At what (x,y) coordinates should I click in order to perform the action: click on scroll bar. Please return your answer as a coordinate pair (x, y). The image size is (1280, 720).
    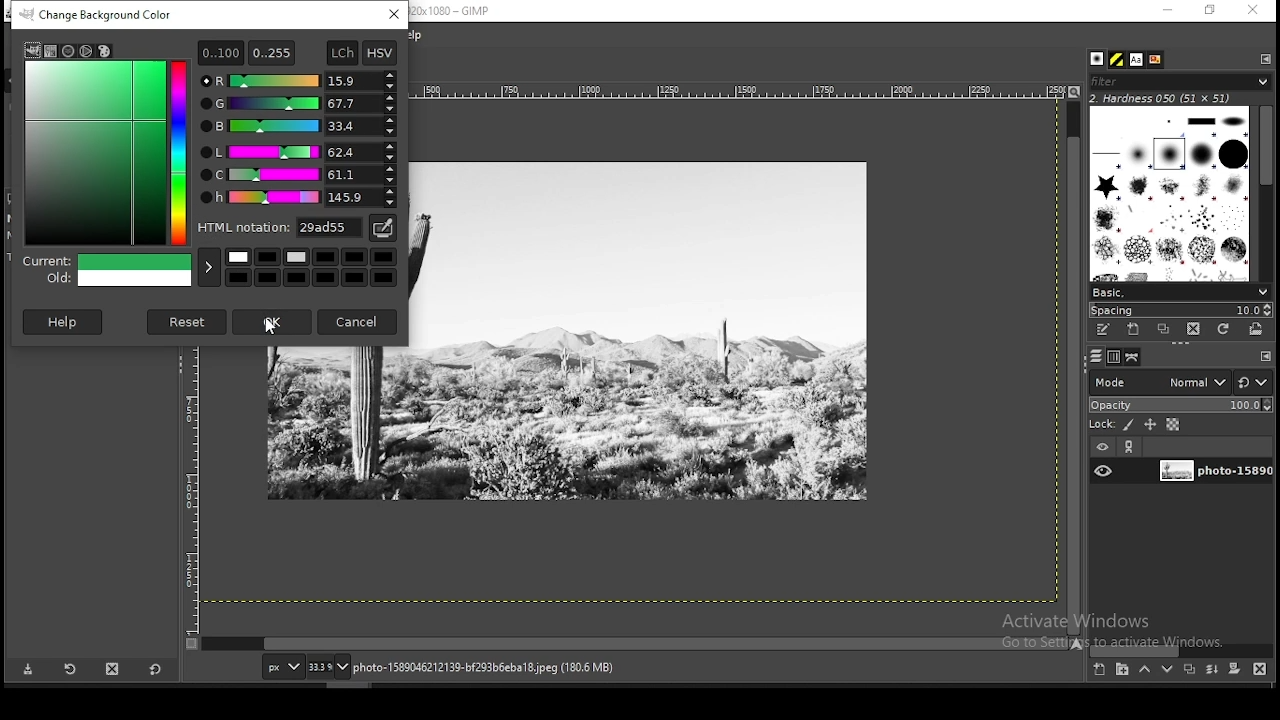
    Looking at the image, I should click on (636, 644).